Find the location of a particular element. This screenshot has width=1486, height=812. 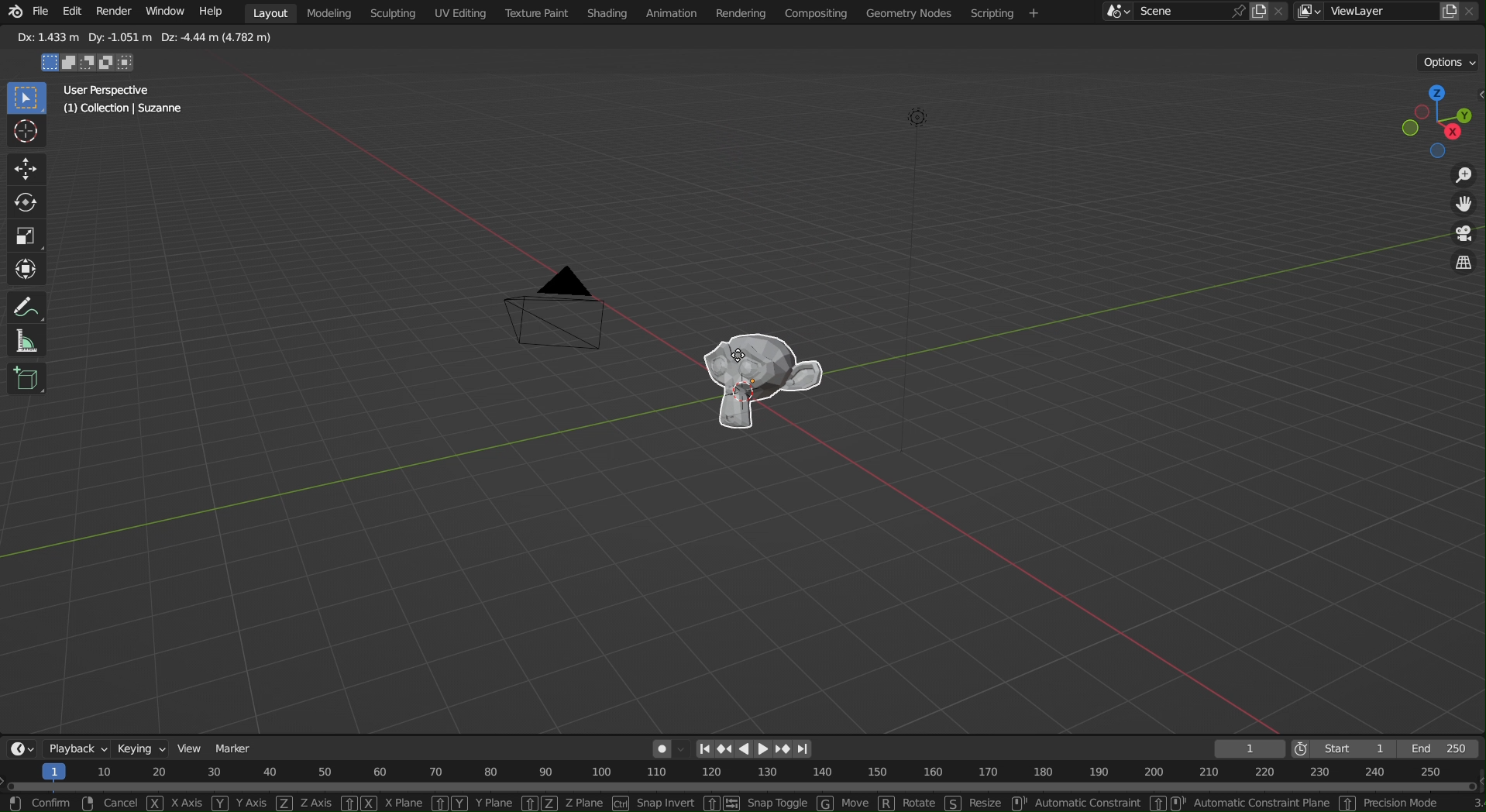

Keying is located at coordinates (143, 750).